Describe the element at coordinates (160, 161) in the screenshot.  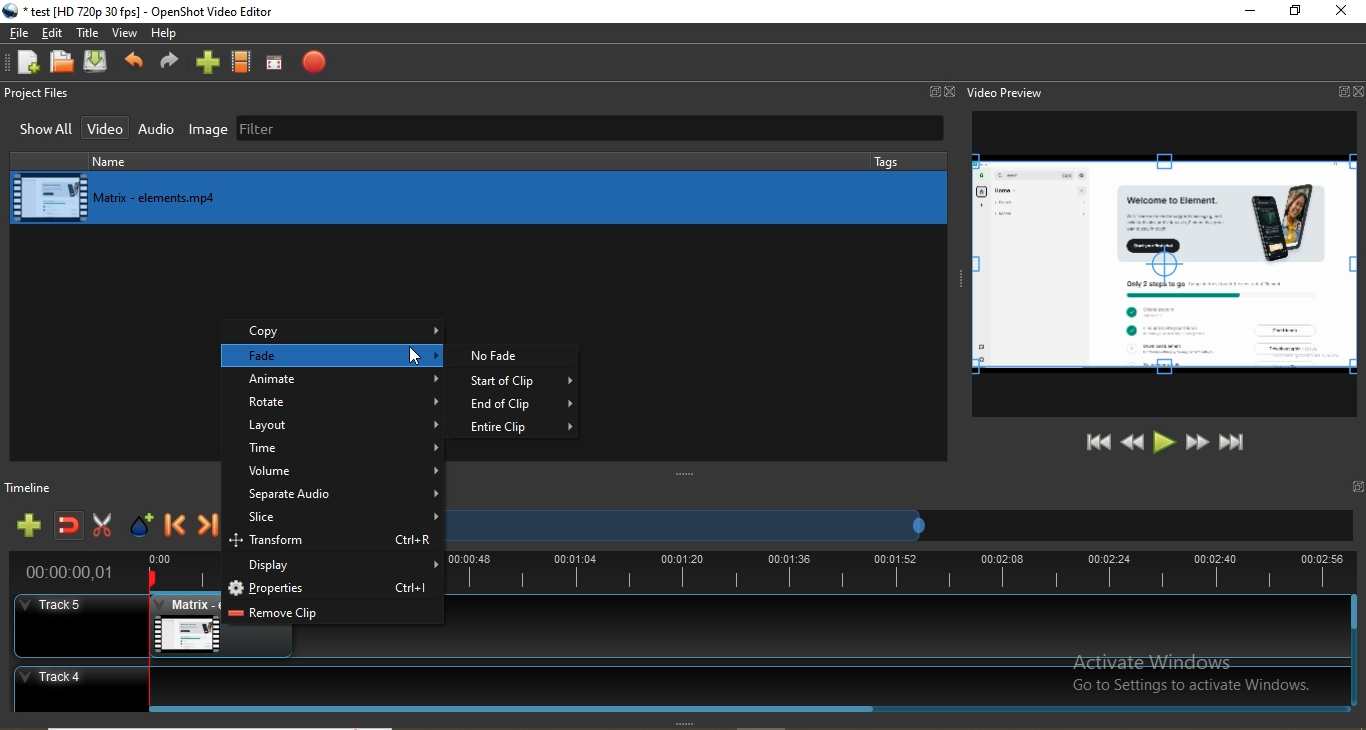
I see `name` at that location.